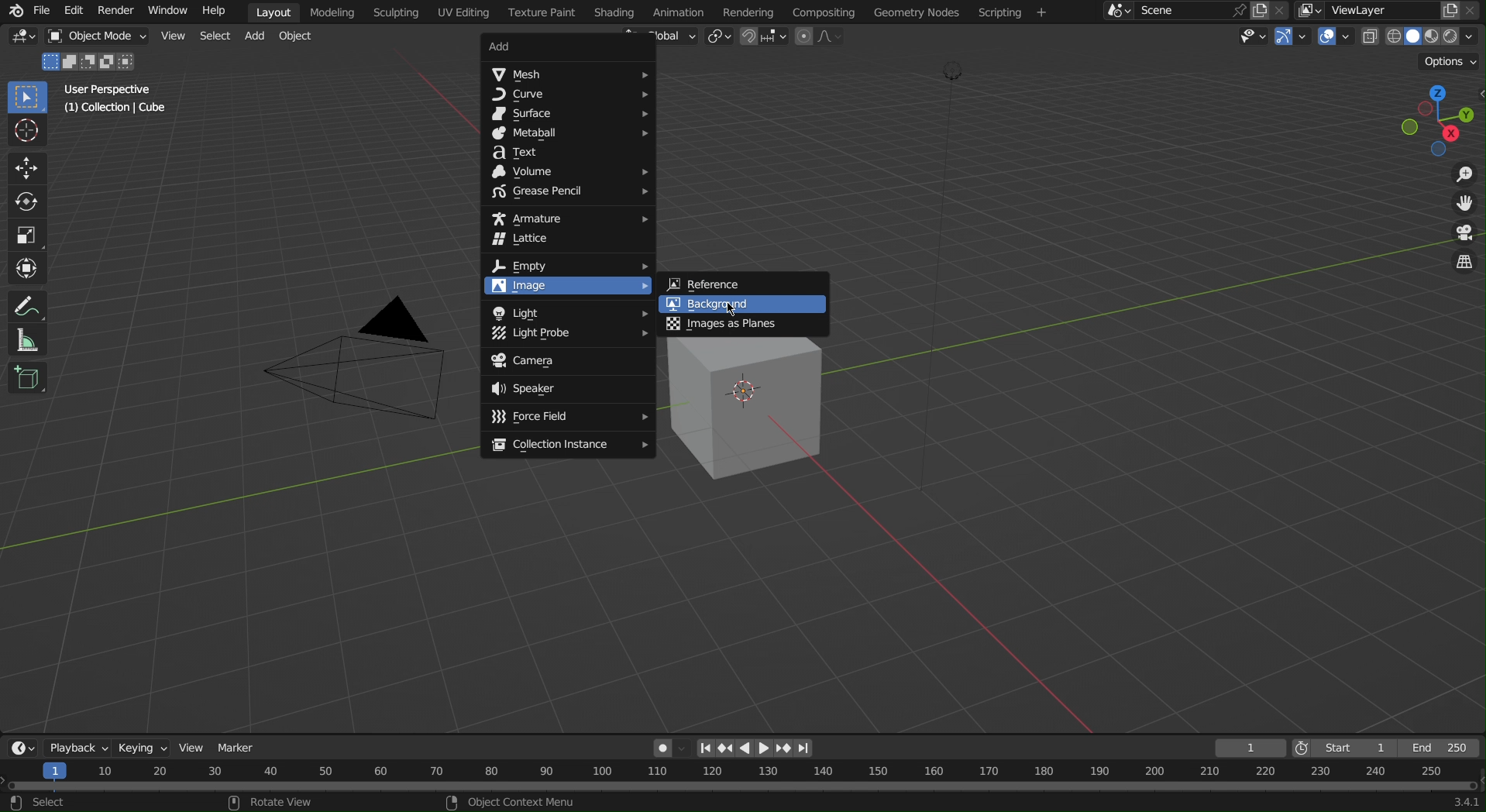  Describe the element at coordinates (399, 12) in the screenshot. I see `Scripting` at that location.